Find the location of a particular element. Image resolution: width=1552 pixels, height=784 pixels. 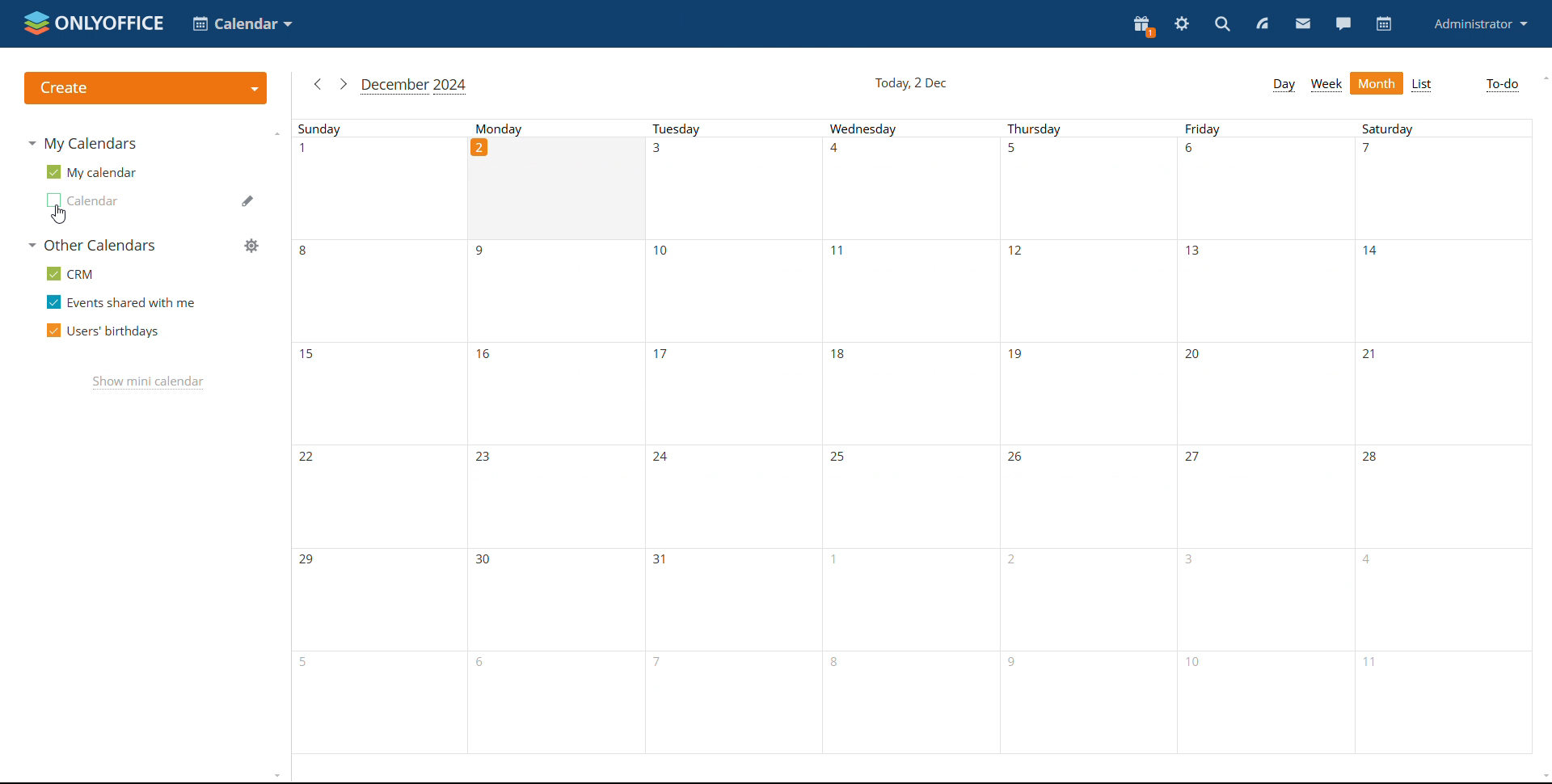

previous month is located at coordinates (318, 84).